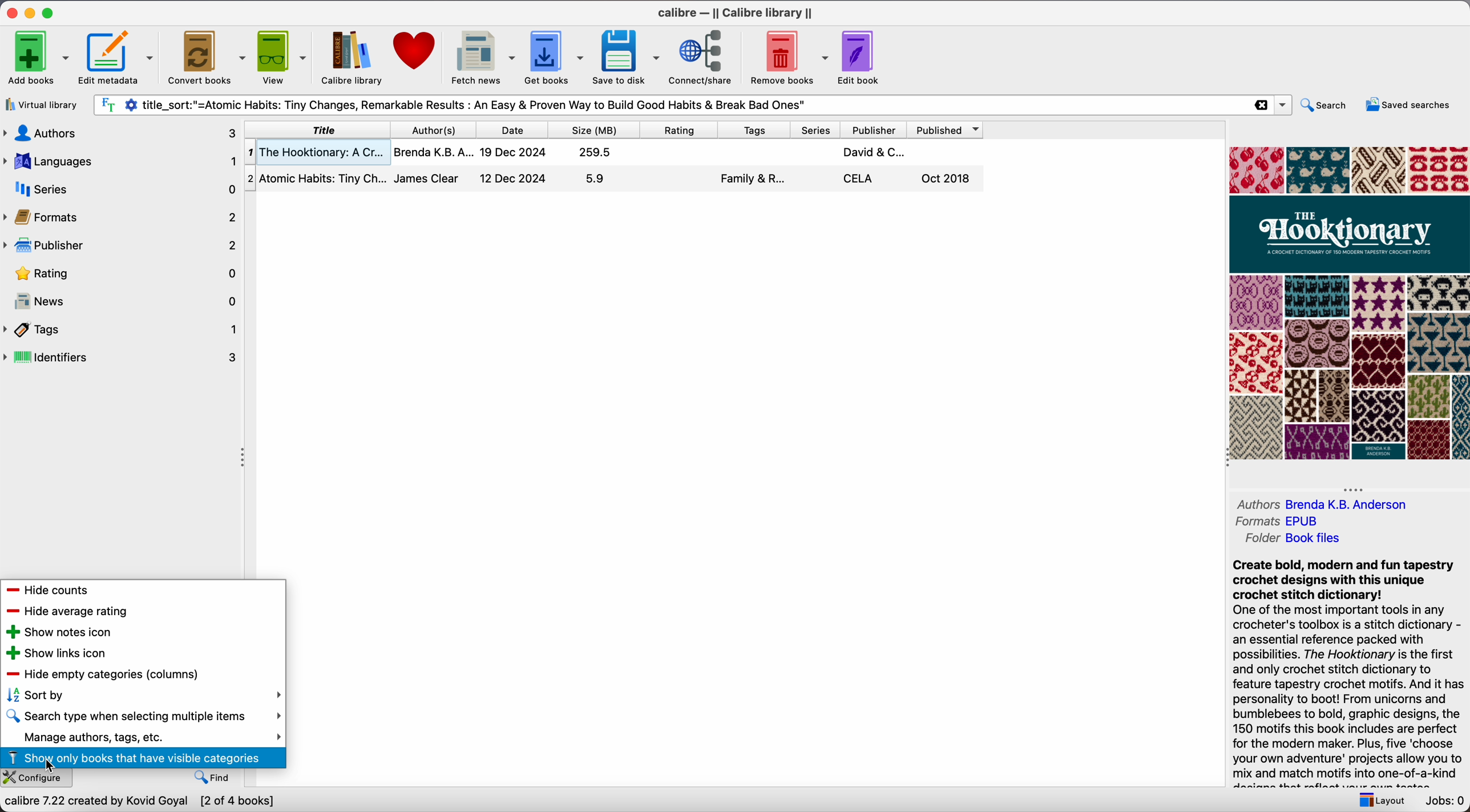 Image resolution: width=1470 pixels, height=812 pixels. Describe the element at coordinates (208, 56) in the screenshot. I see `convert books` at that location.